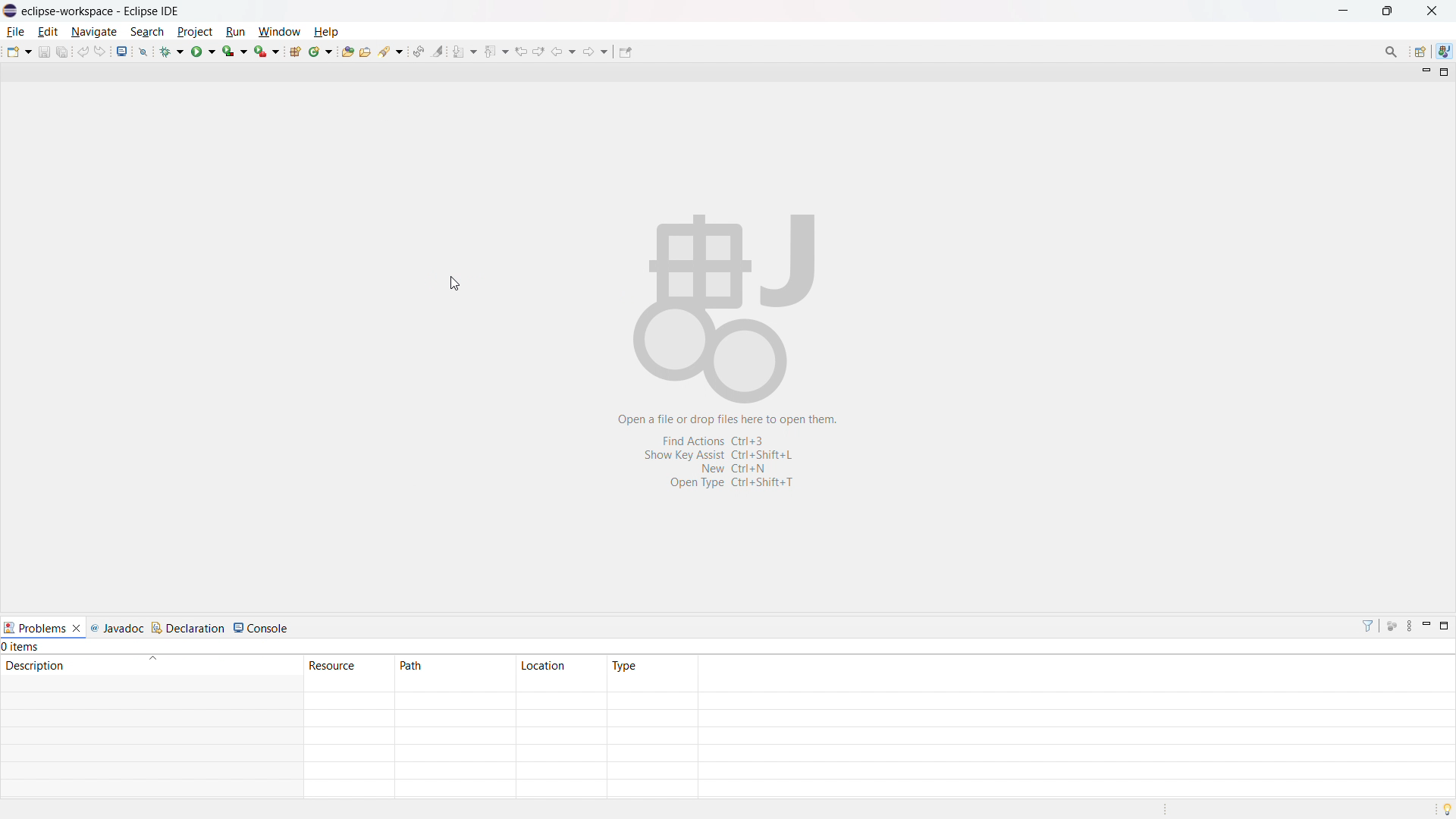  I want to click on view next location, so click(538, 50).